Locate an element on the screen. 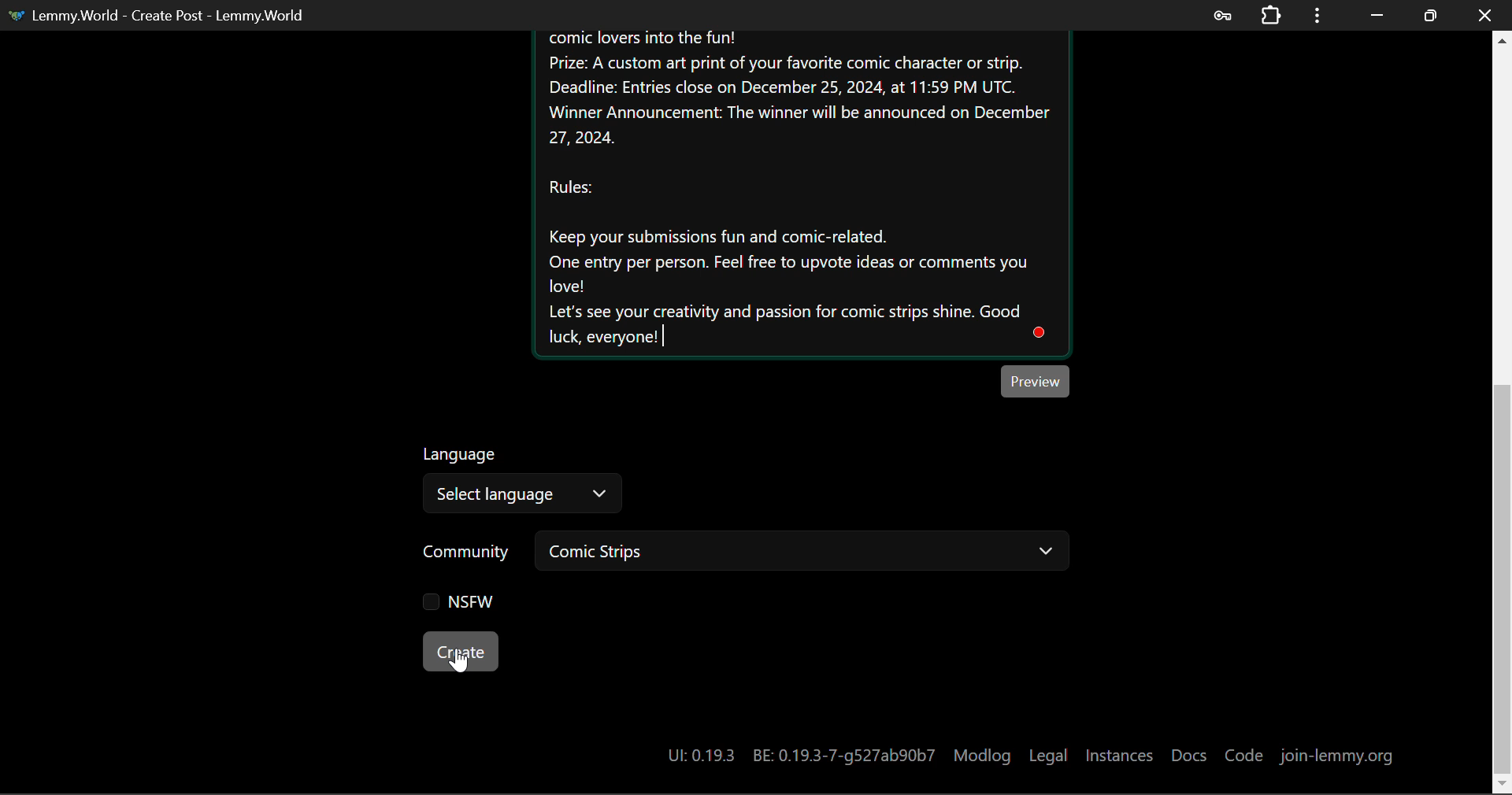  Comic Strips is located at coordinates (800, 553).